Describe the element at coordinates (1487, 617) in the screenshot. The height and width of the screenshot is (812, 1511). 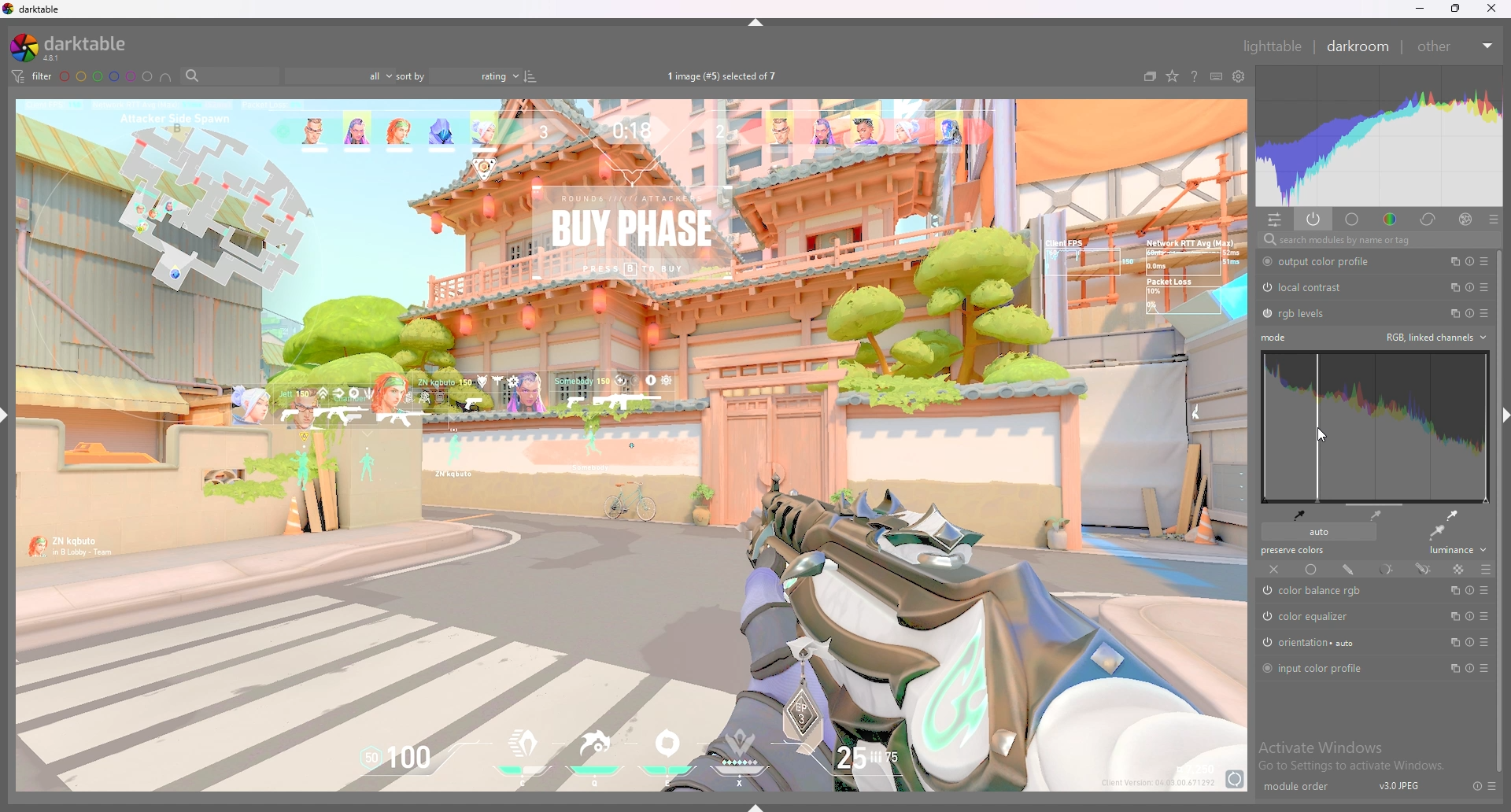
I see `presets` at that location.